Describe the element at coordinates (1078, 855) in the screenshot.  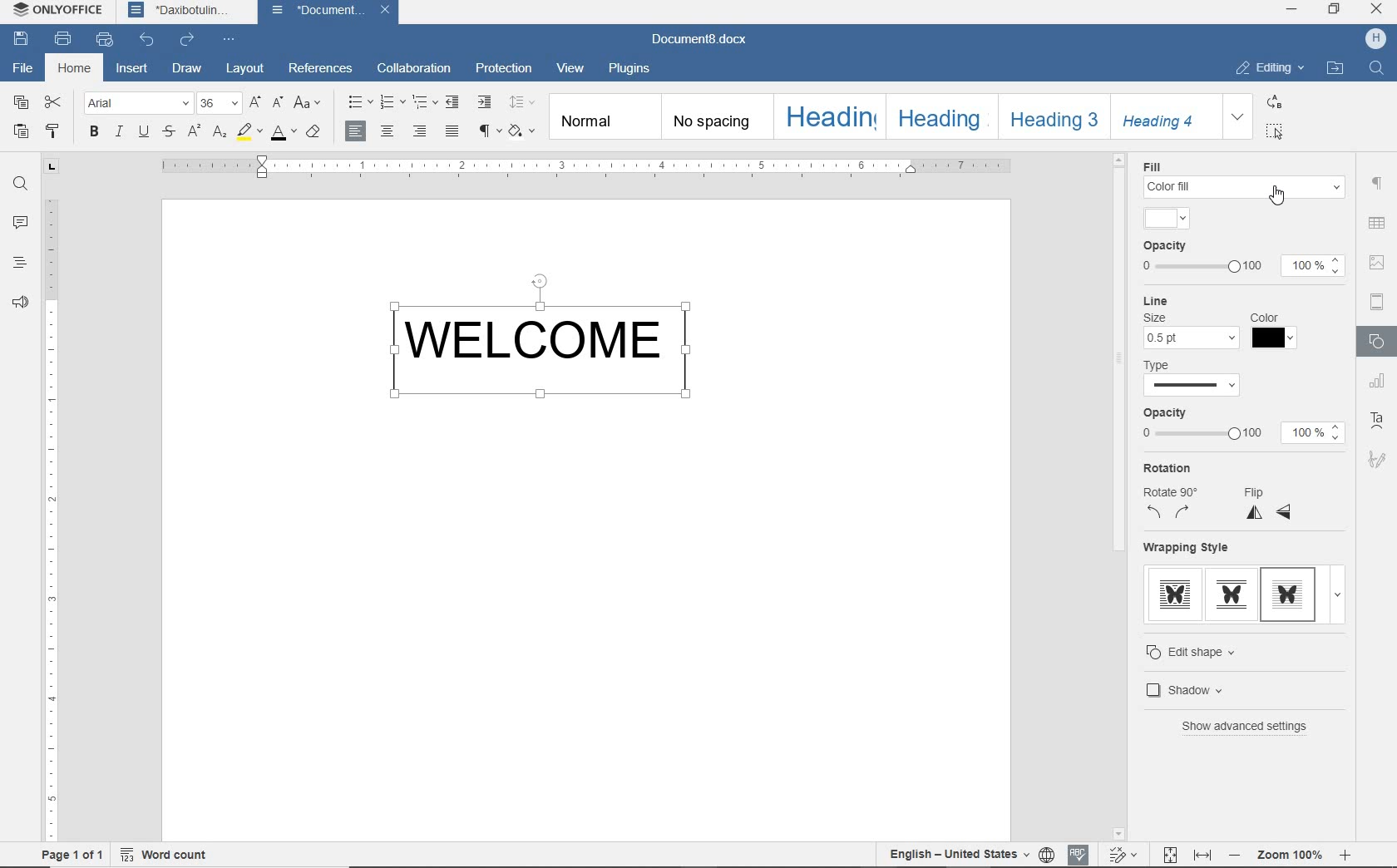
I see `SPELL CHECKING` at that location.